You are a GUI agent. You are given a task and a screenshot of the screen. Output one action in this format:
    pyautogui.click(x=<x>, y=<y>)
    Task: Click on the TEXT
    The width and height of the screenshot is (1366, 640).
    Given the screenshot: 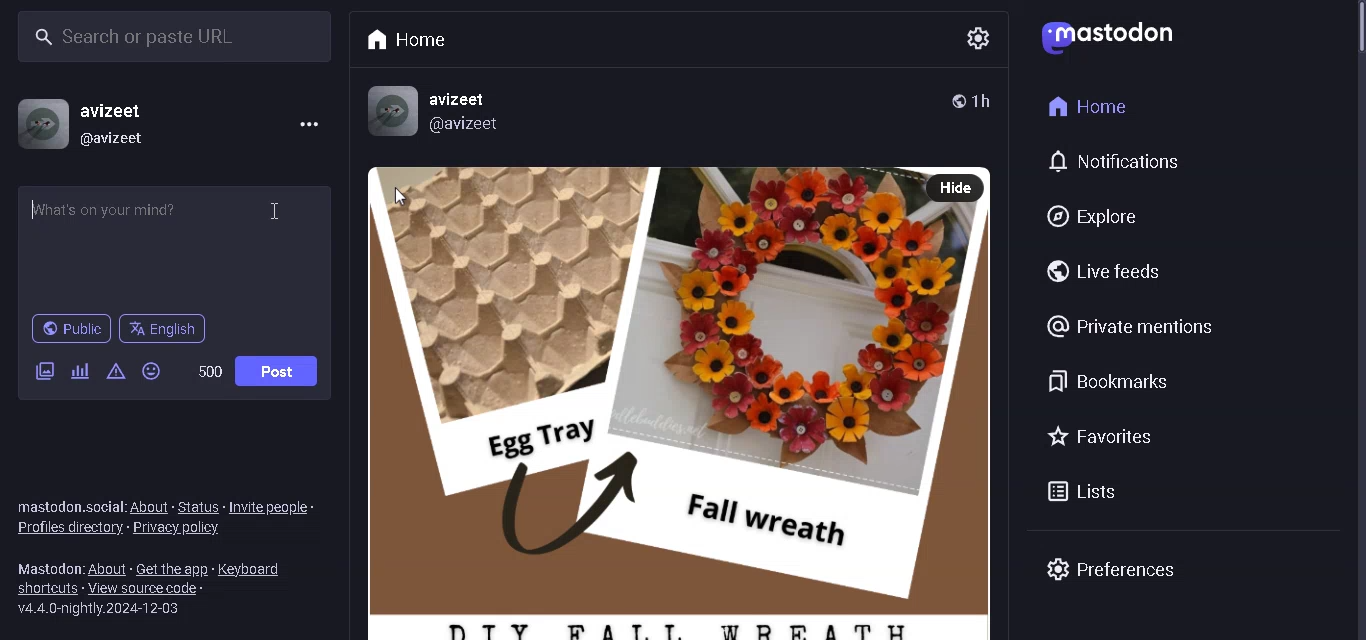 What is the action you would take?
    pyautogui.click(x=49, y=566)
    